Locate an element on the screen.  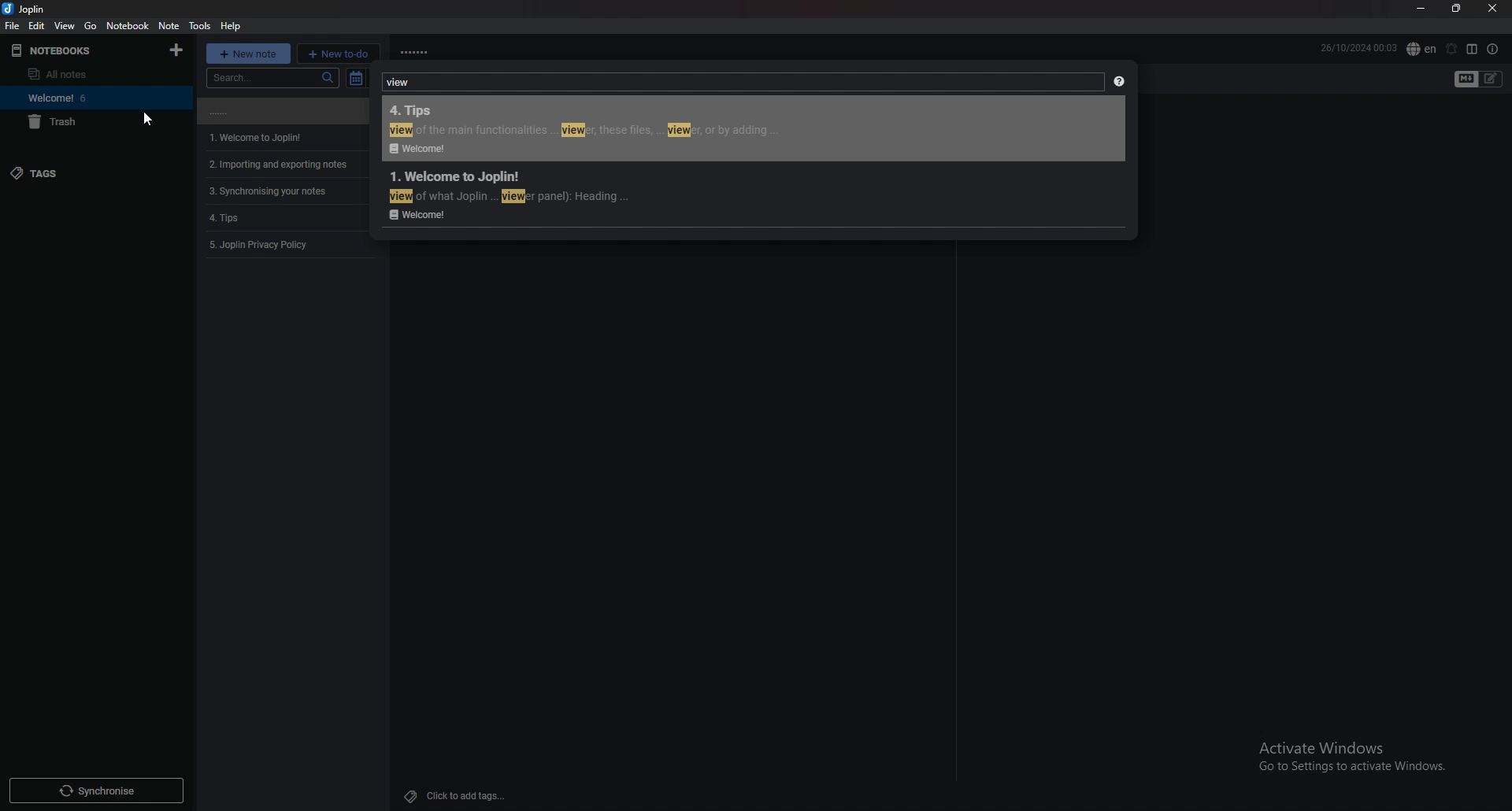
 is located at coordinates (454, 796).